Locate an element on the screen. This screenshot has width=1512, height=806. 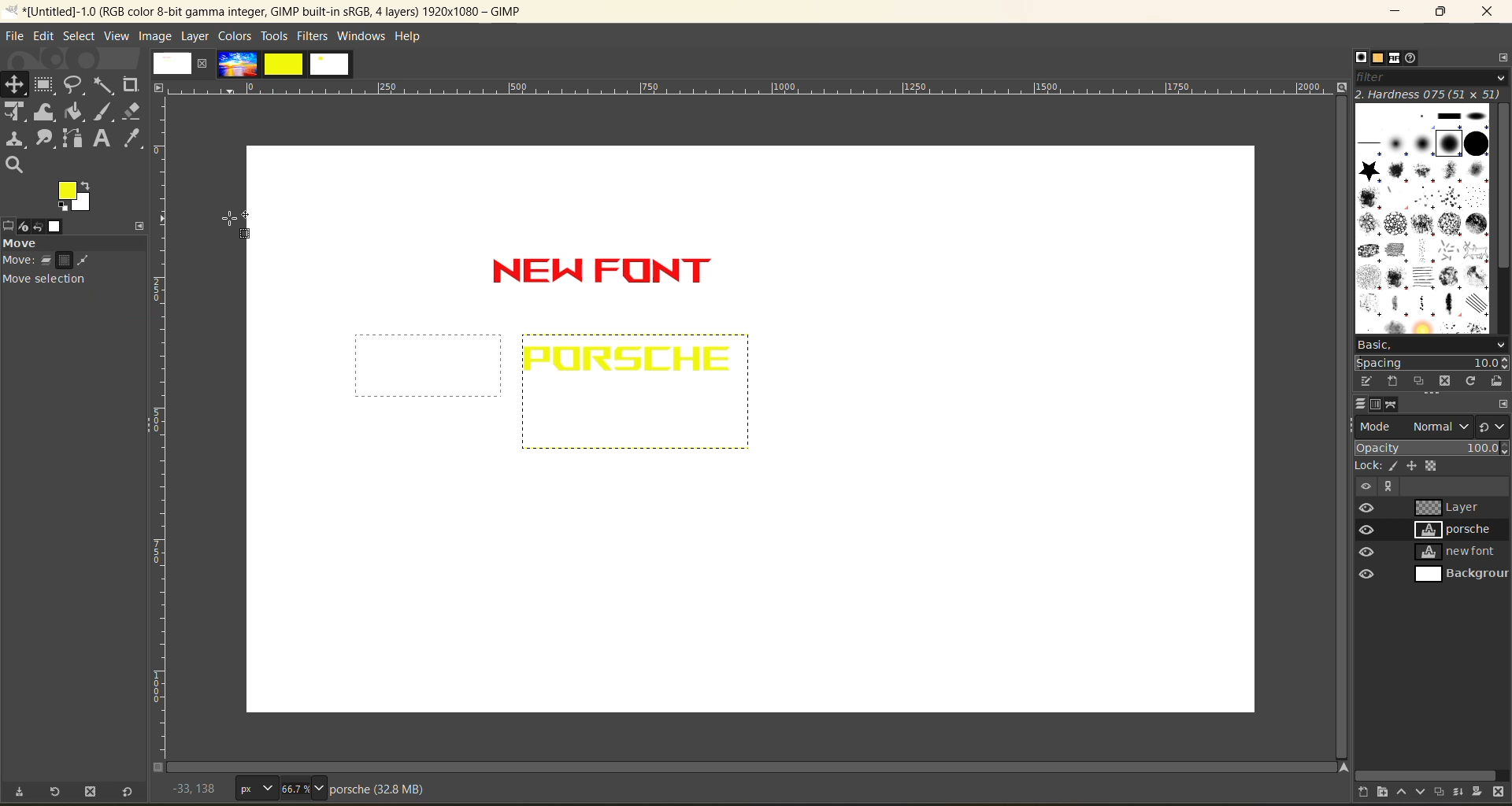
layer is located at coordinates (197, 36).